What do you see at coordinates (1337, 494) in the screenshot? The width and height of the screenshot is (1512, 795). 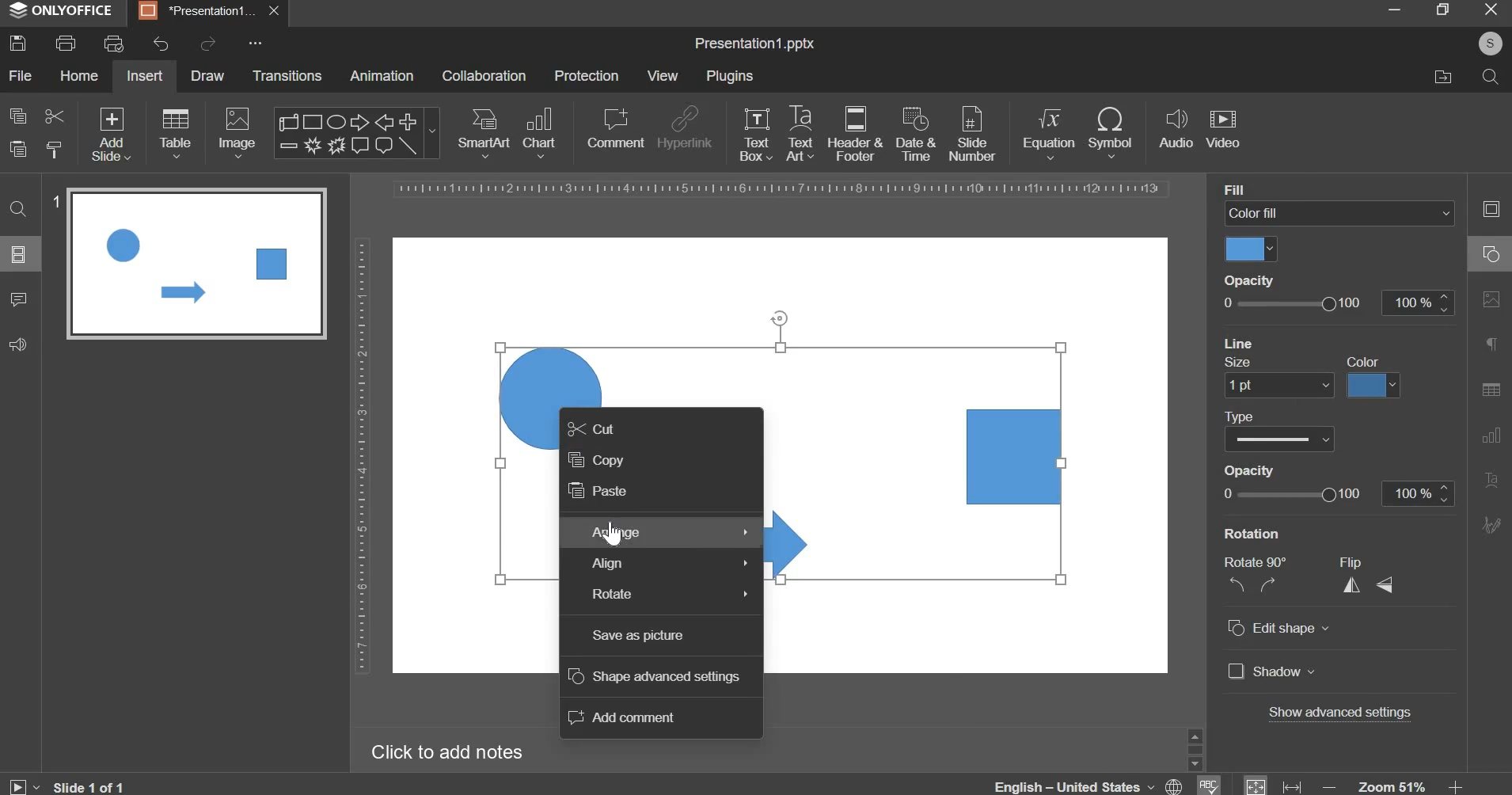 I see `opacity` at bounding box center [1337, 494].